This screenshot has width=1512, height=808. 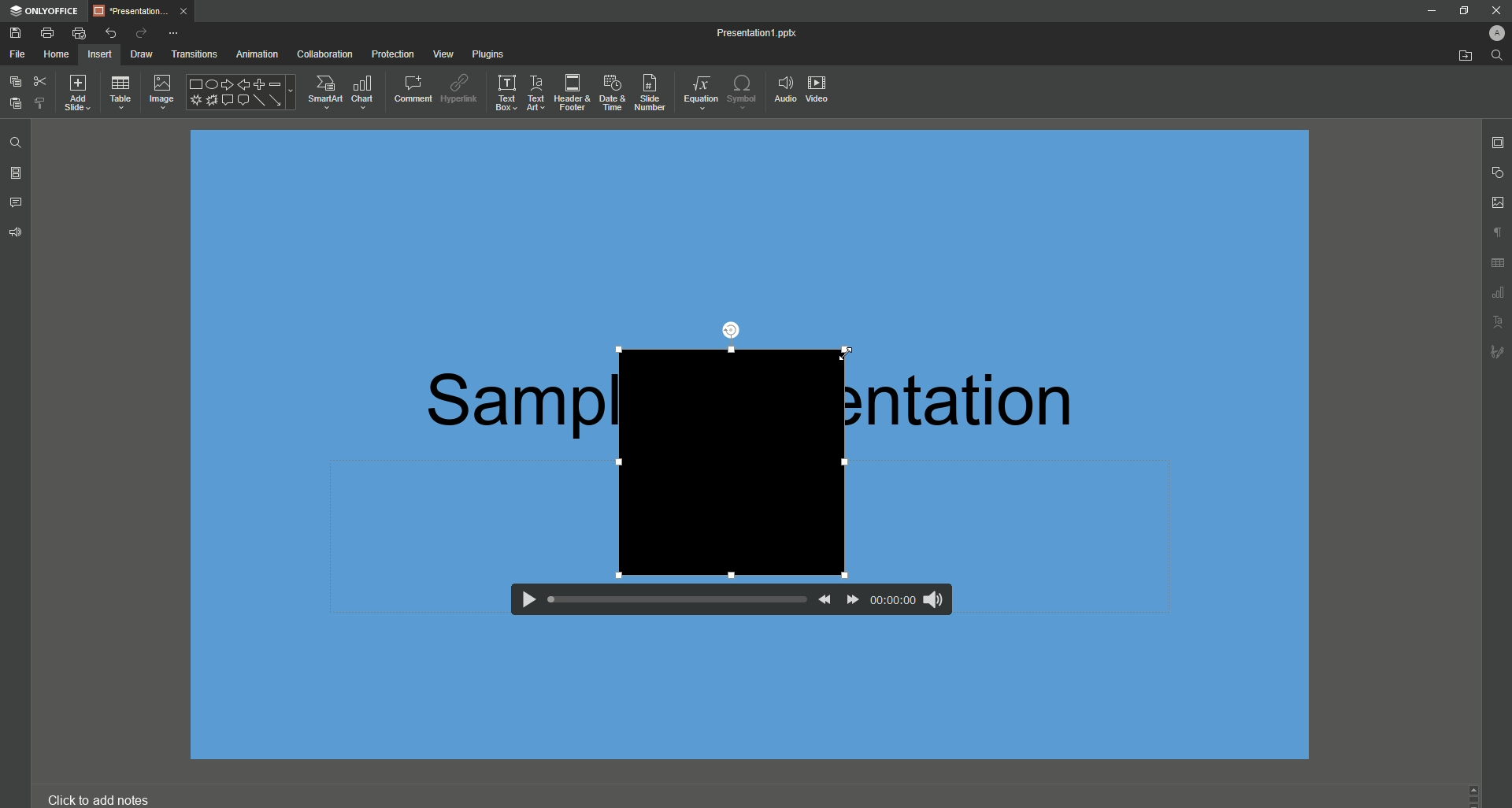 I want to click on Slide Number, so click(x=653, y=94).